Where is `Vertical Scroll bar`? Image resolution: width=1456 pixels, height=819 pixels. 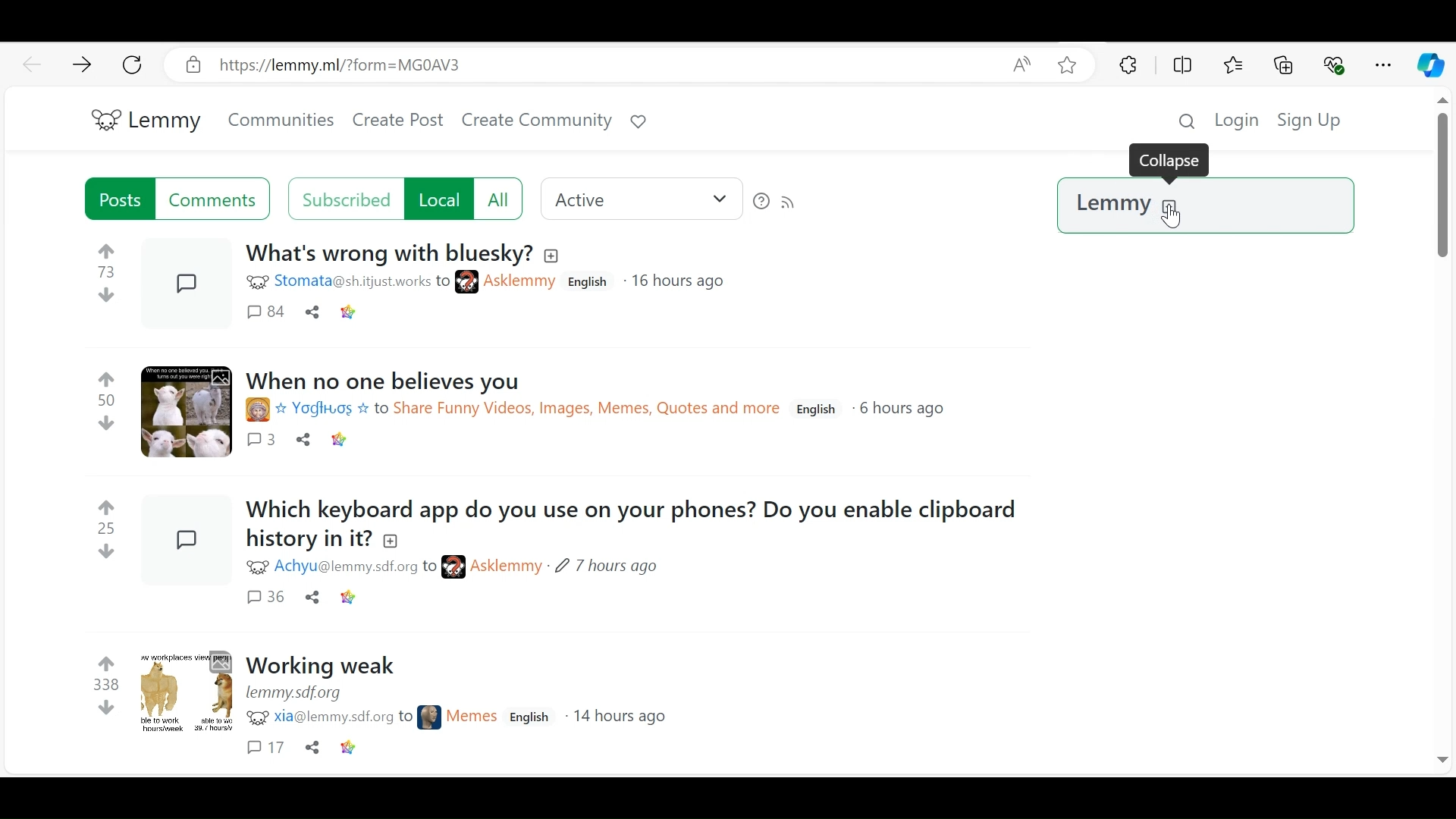
Vertical Scroll bar is located at coordinates (1441, 184).